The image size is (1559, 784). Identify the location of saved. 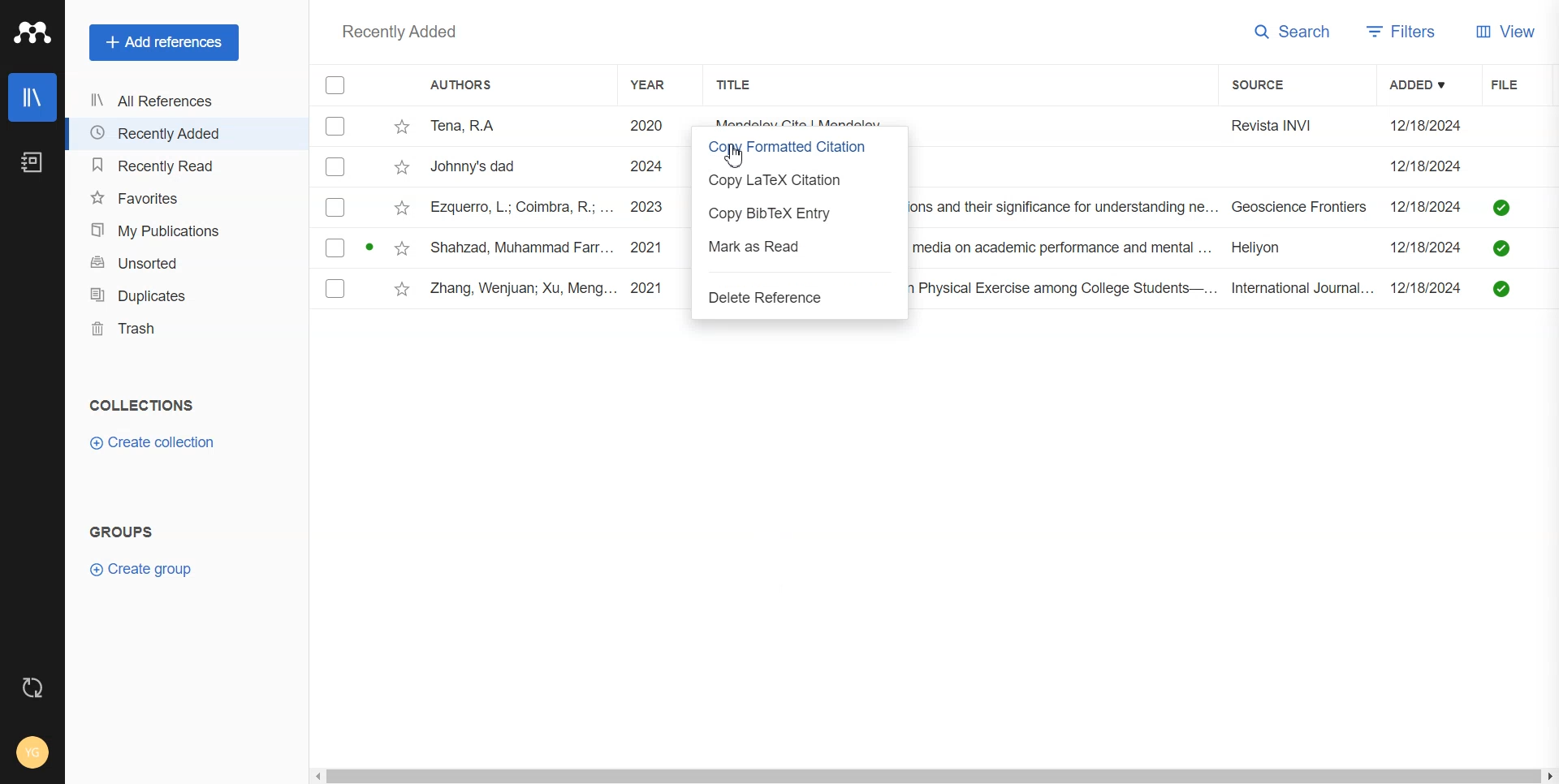
(1501, 250).